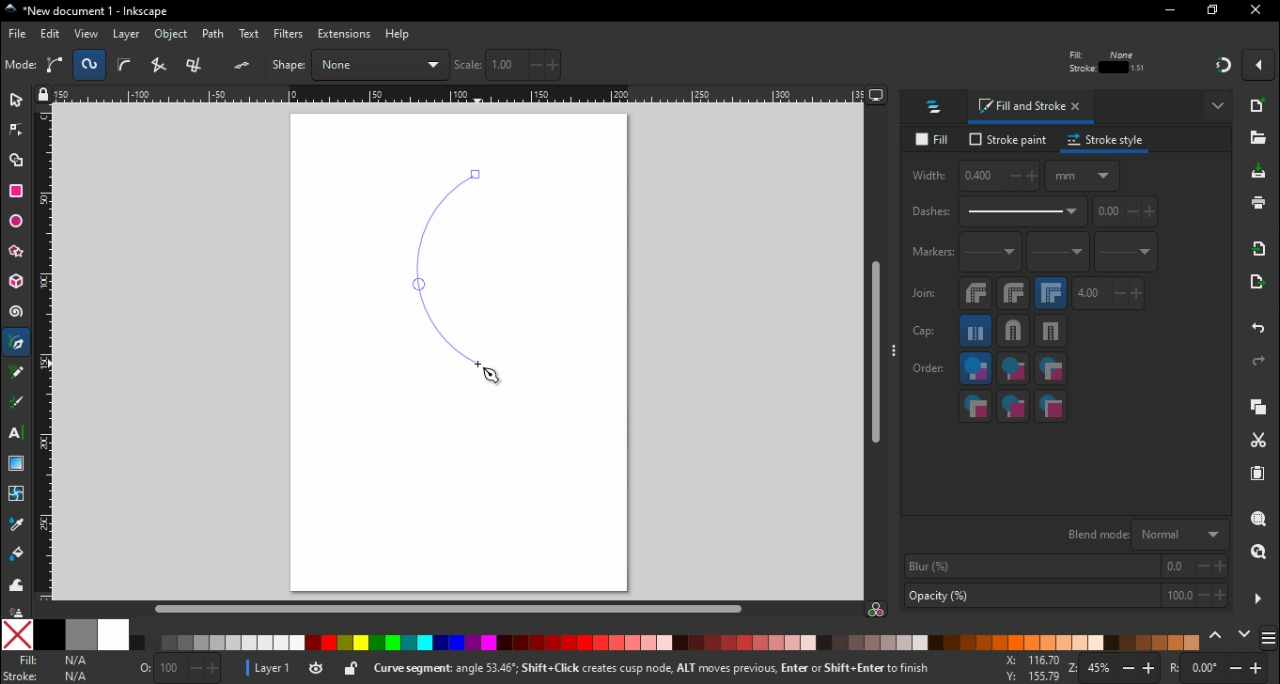 This screenshot has height=684, width=1280. Describe the element at coordinates (455, 267) in the screenshot. I see `active curved line segment` at that location.